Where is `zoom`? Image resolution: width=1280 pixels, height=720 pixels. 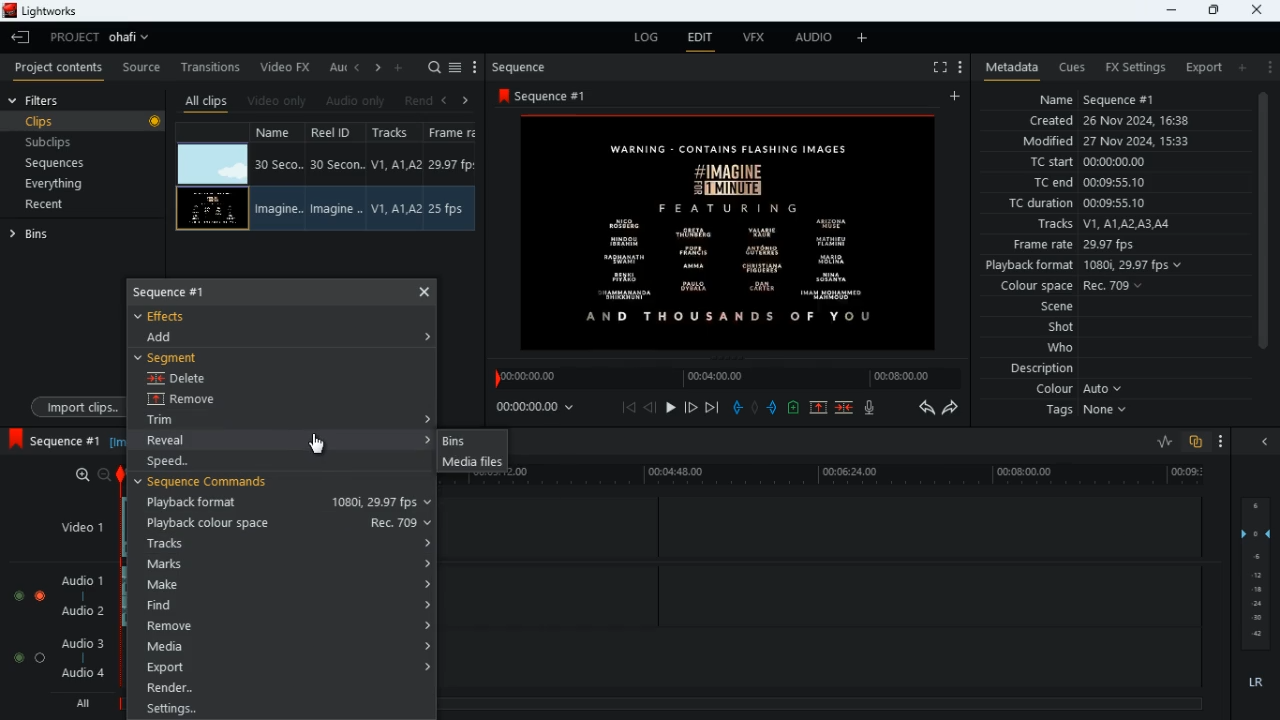
zoom is located at coordinates (92, 474).